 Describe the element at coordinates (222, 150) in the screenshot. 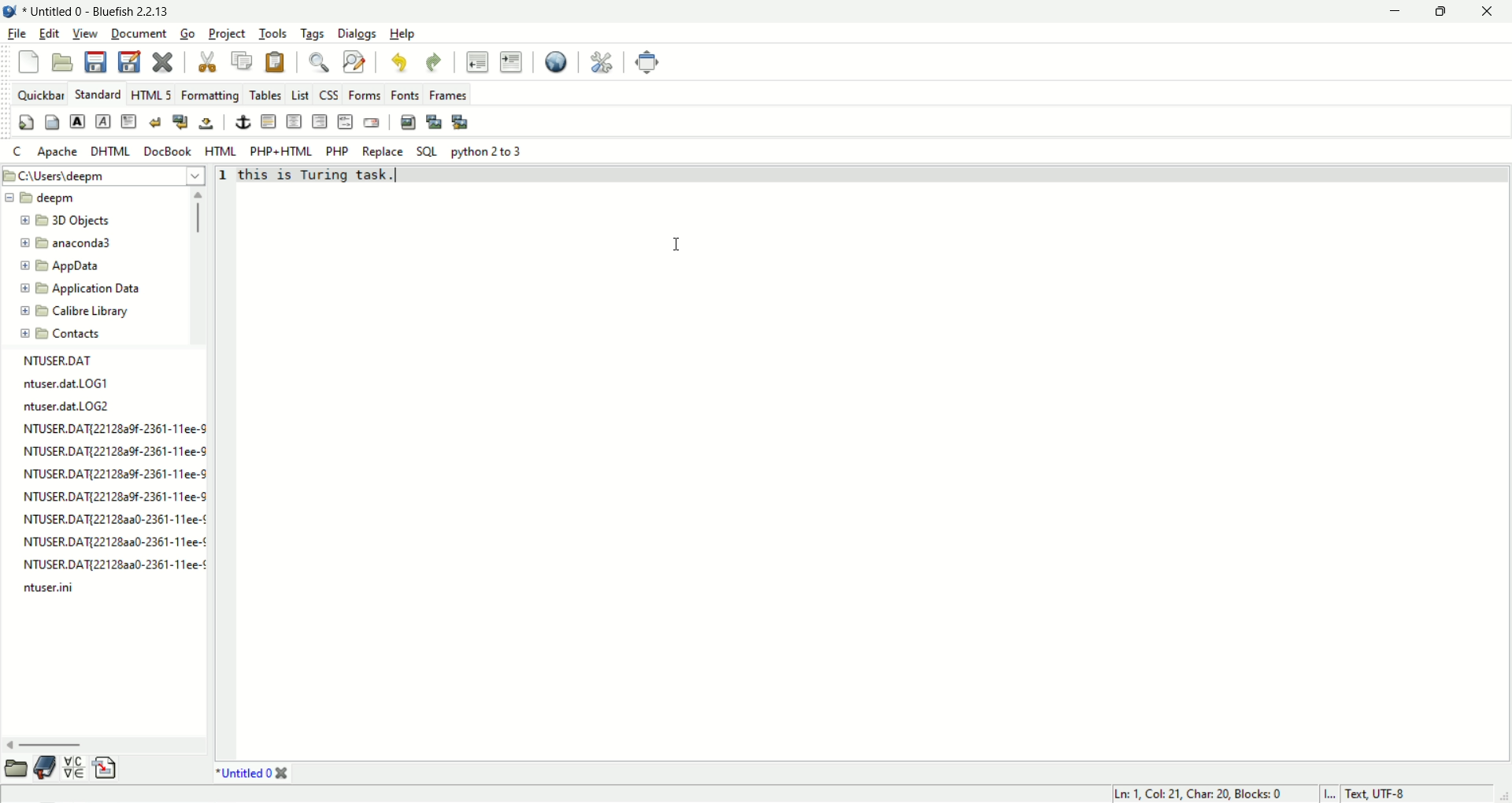

I see `HTML` at that location.